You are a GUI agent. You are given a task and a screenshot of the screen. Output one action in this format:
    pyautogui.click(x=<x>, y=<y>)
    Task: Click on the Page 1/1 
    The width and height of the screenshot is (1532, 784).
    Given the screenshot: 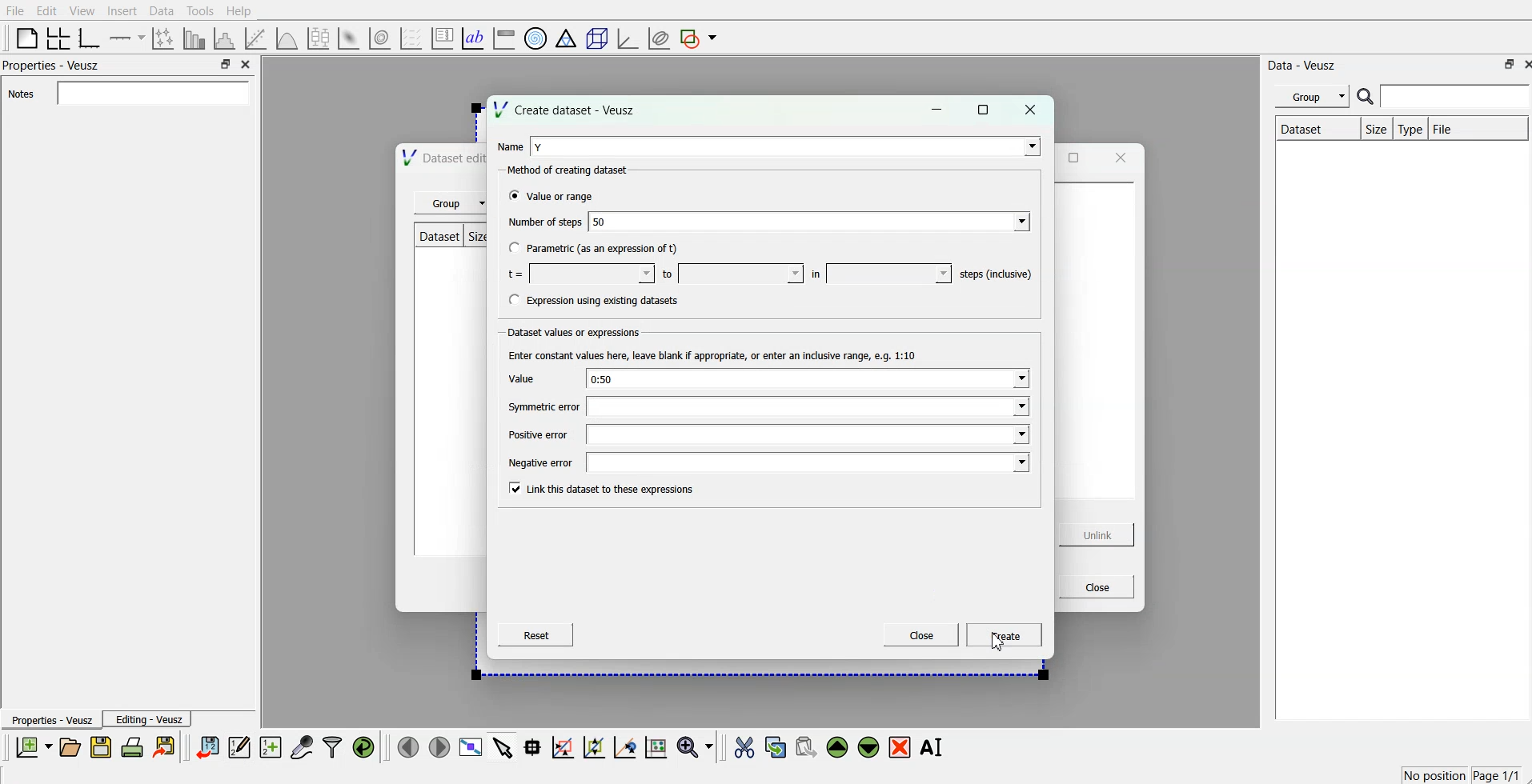 What is the action you would take?
    pyautogui.click(x=1496, y=774)
    